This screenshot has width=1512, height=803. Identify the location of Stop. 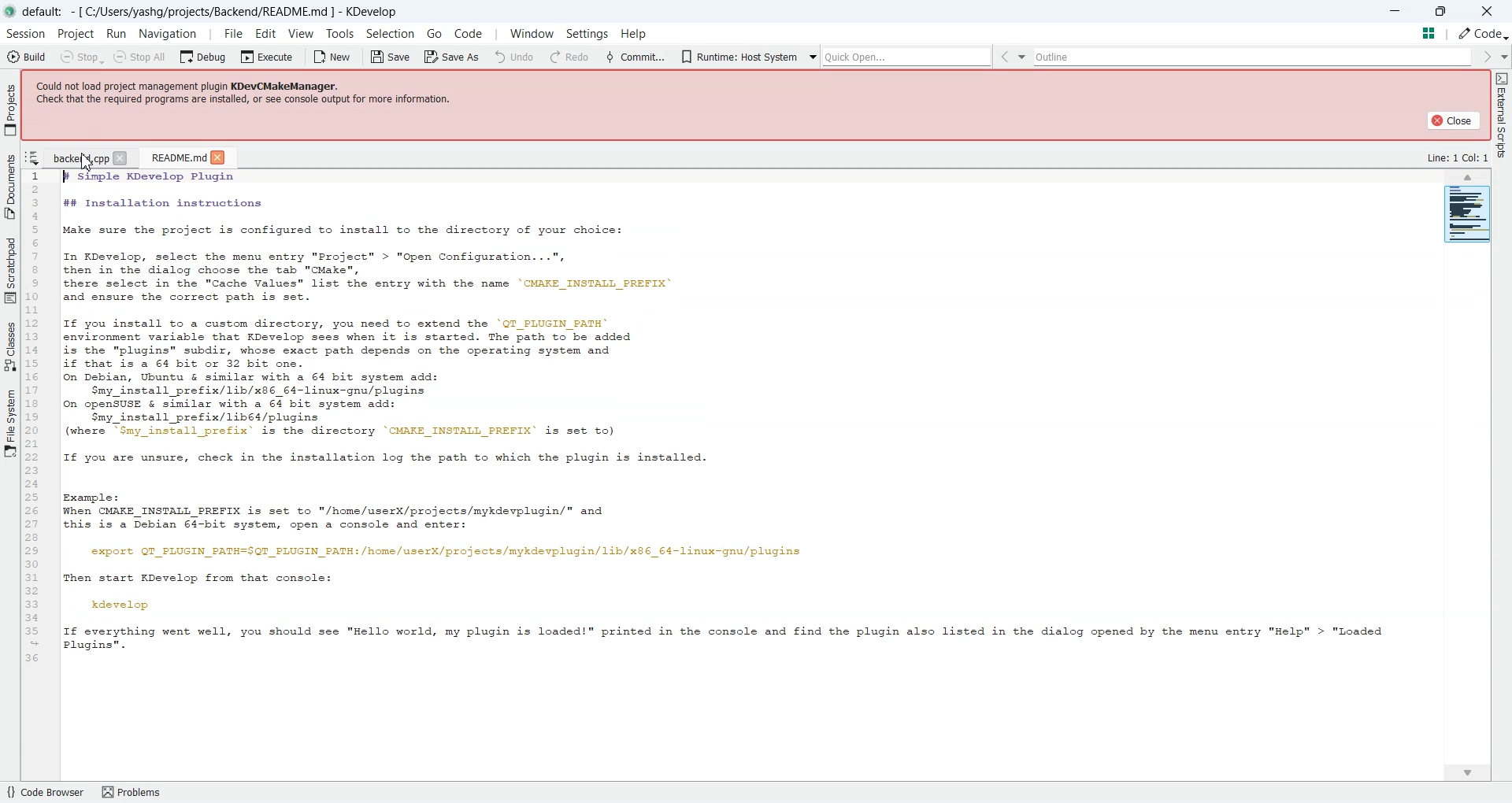
(82, 57).